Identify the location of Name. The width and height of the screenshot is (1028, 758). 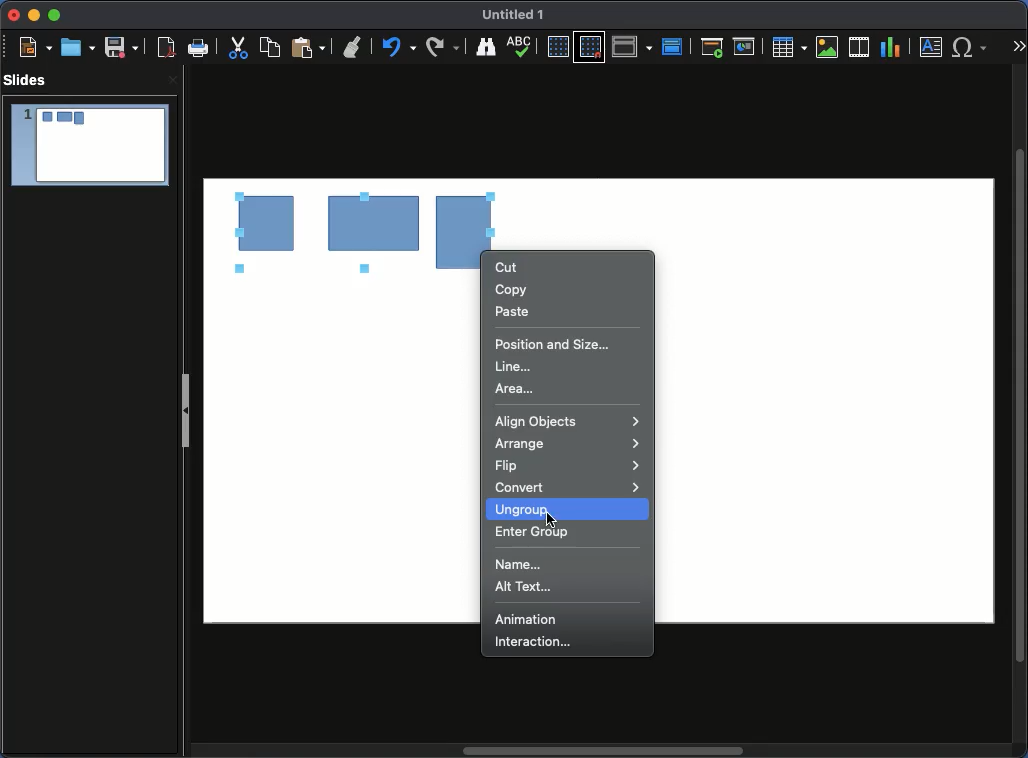
(526, 564).